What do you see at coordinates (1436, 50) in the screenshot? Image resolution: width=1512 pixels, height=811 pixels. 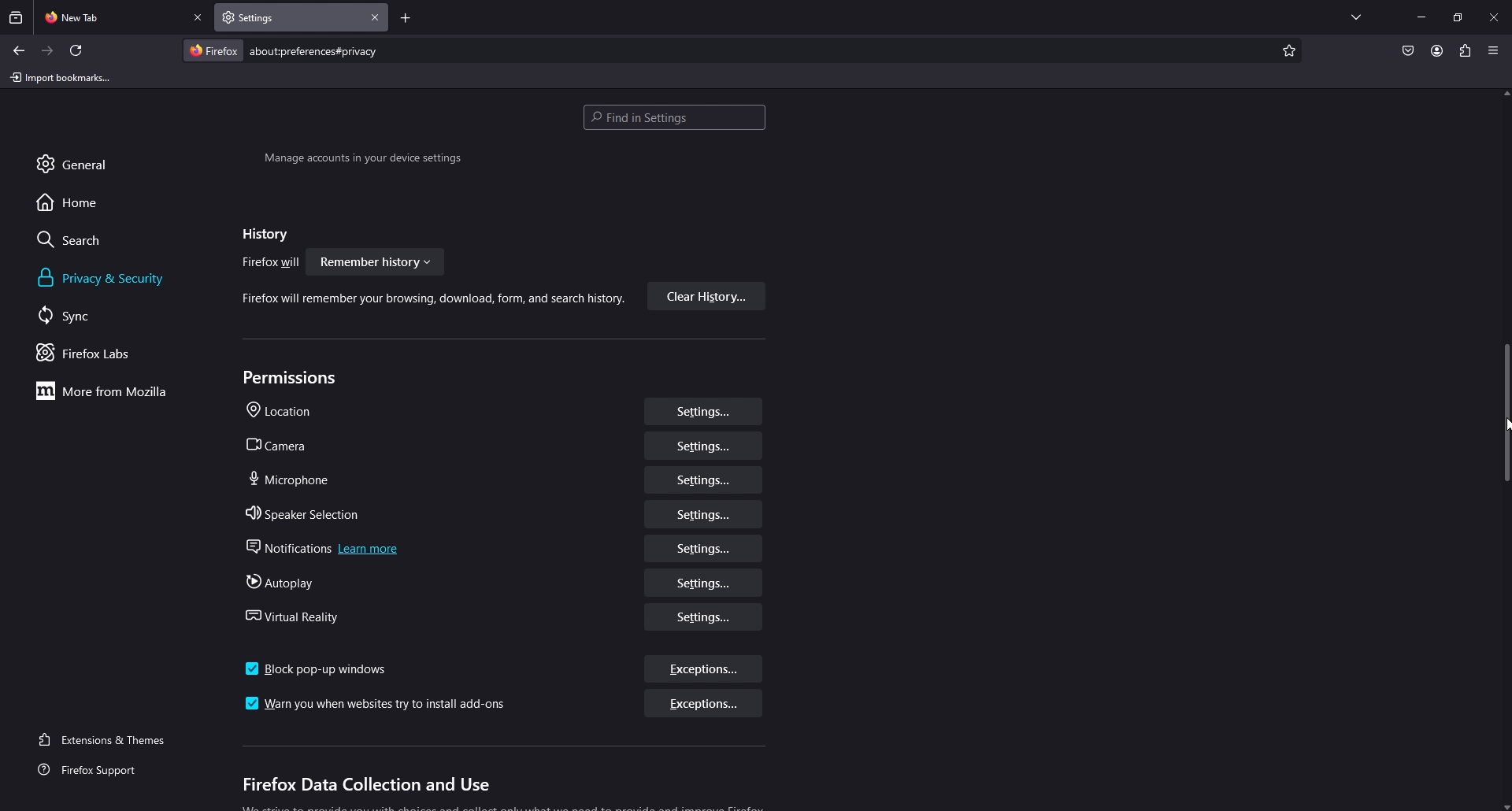 I see `profile` at bounding box center [1436, 50].